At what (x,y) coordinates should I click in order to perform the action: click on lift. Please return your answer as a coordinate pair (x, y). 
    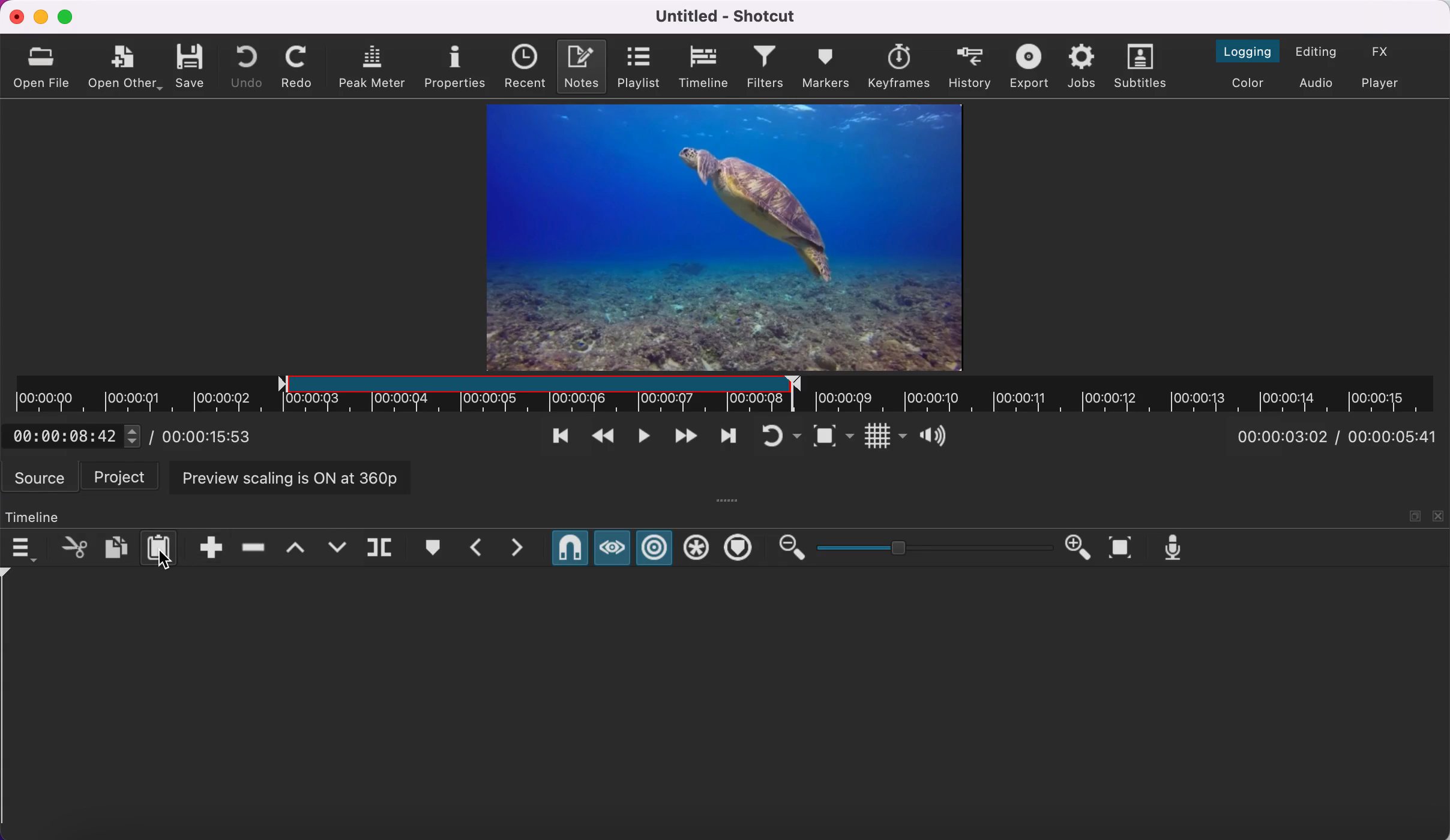
    Looking at the image, I should click on (293, 548).